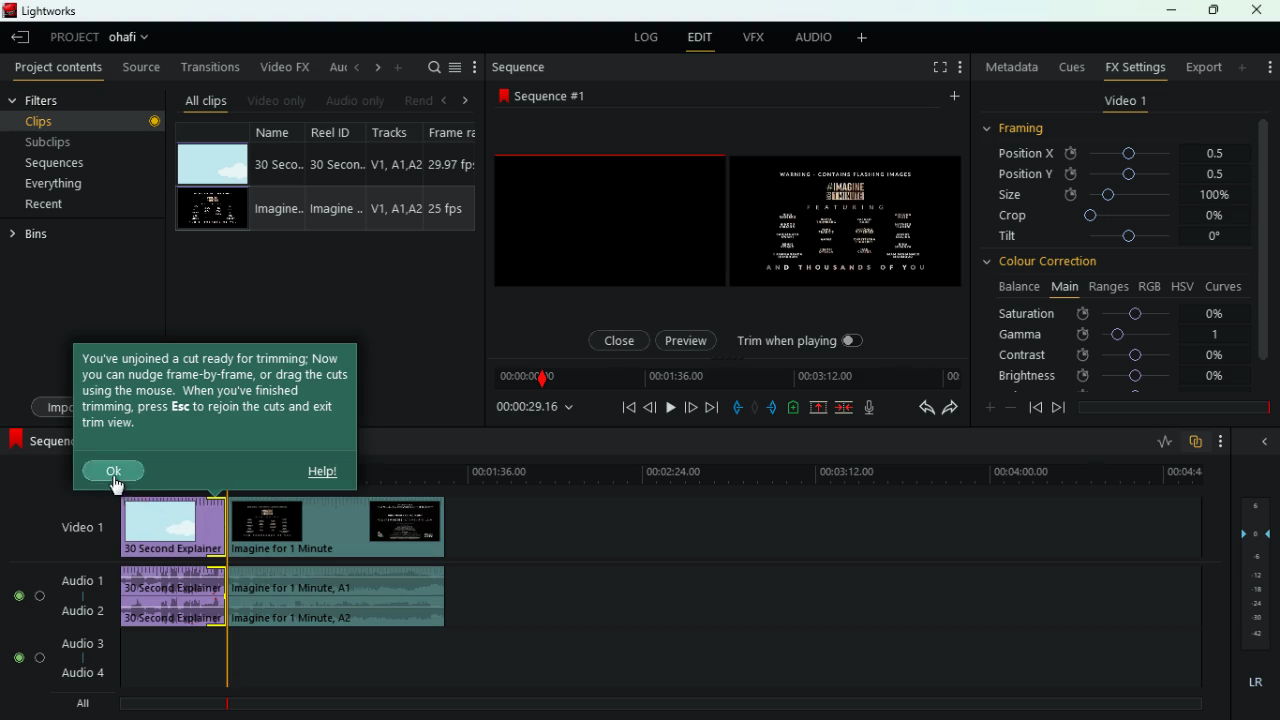 The height and width of the screenshot is (720, 1280). Describe the element at coordinates (87, 120) in the screenshot. I see `clips` at that location.